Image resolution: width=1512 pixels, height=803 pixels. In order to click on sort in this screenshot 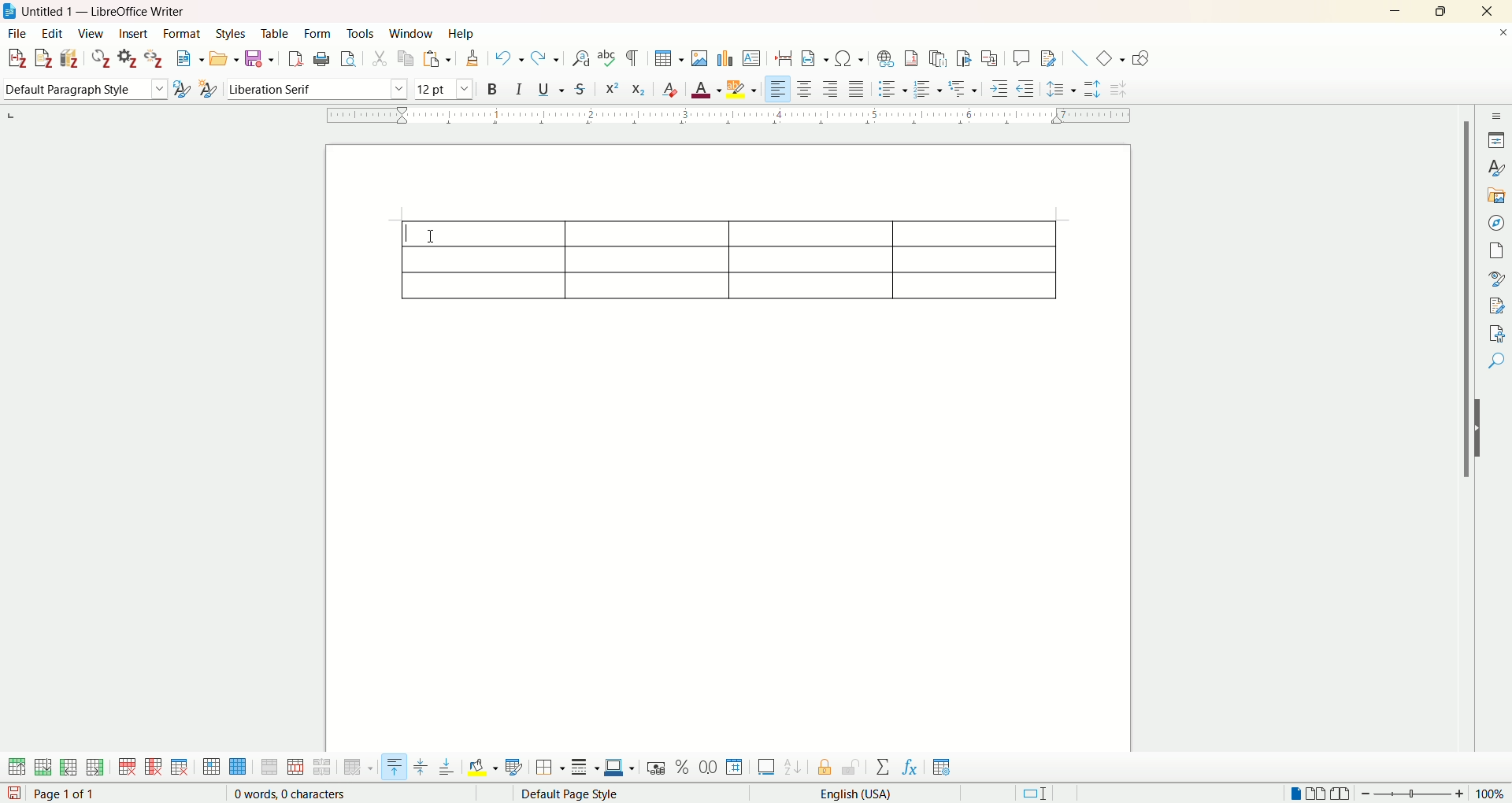, I will do `click(795, 766)`.